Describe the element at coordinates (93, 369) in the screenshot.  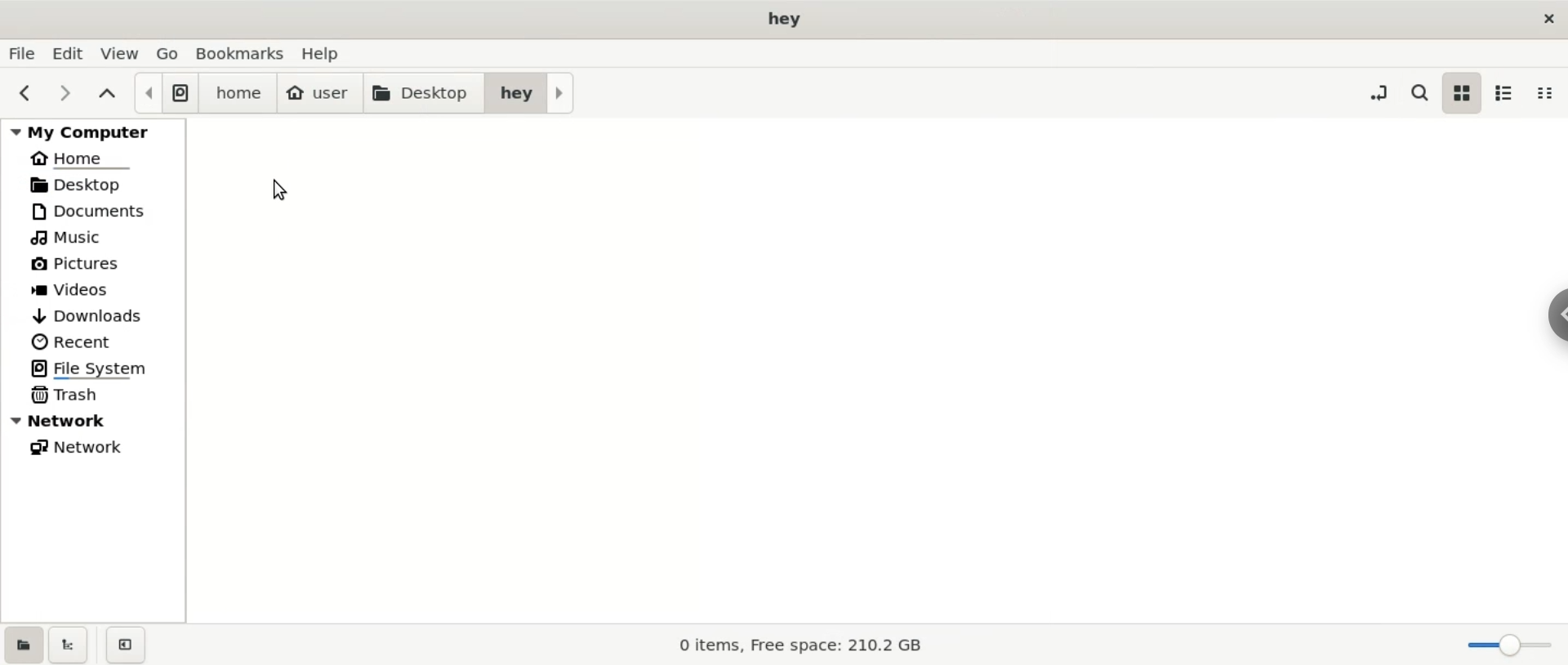
I see `file system` at that location.